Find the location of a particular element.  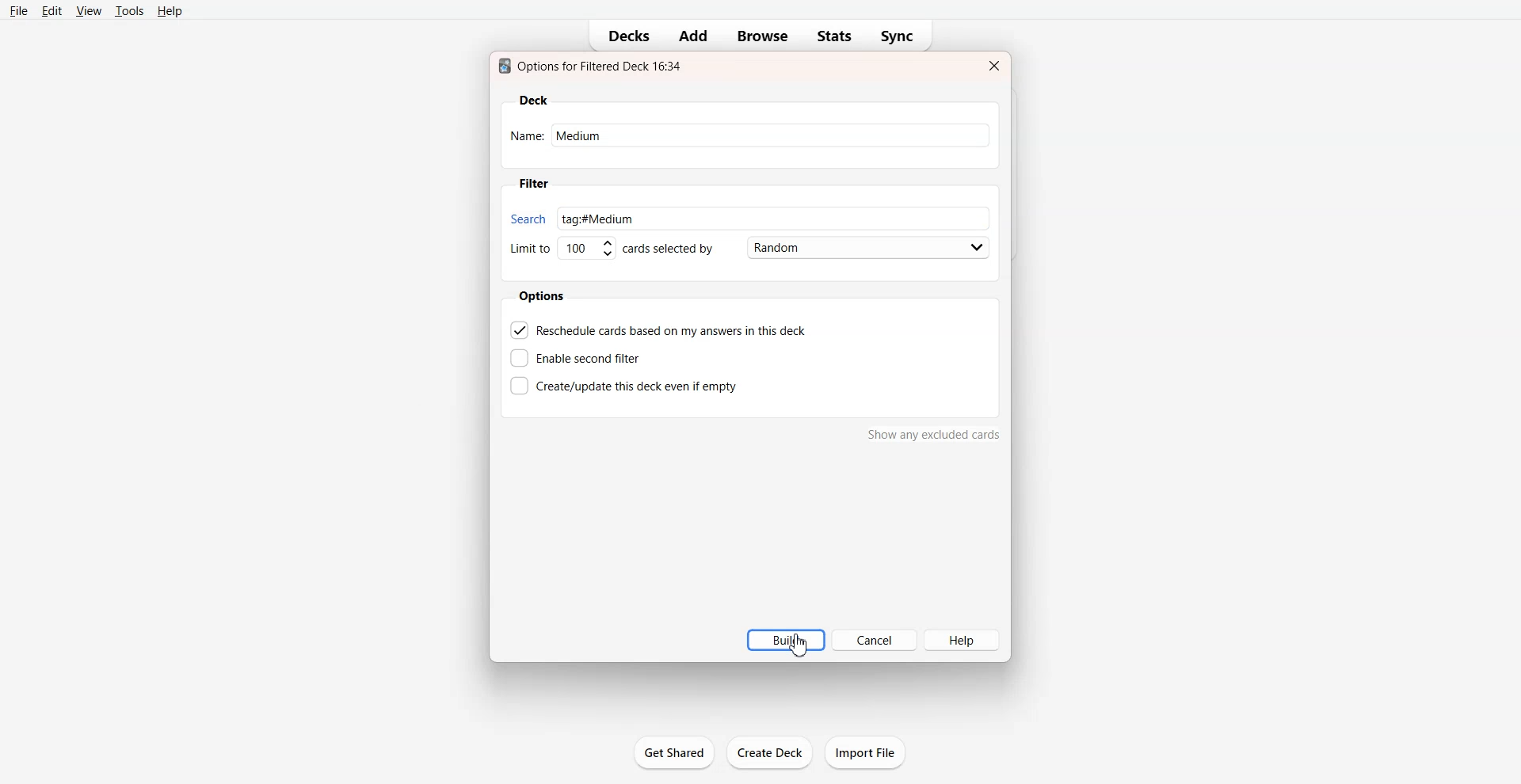

Name: hard is located at coordinates (739, 139).